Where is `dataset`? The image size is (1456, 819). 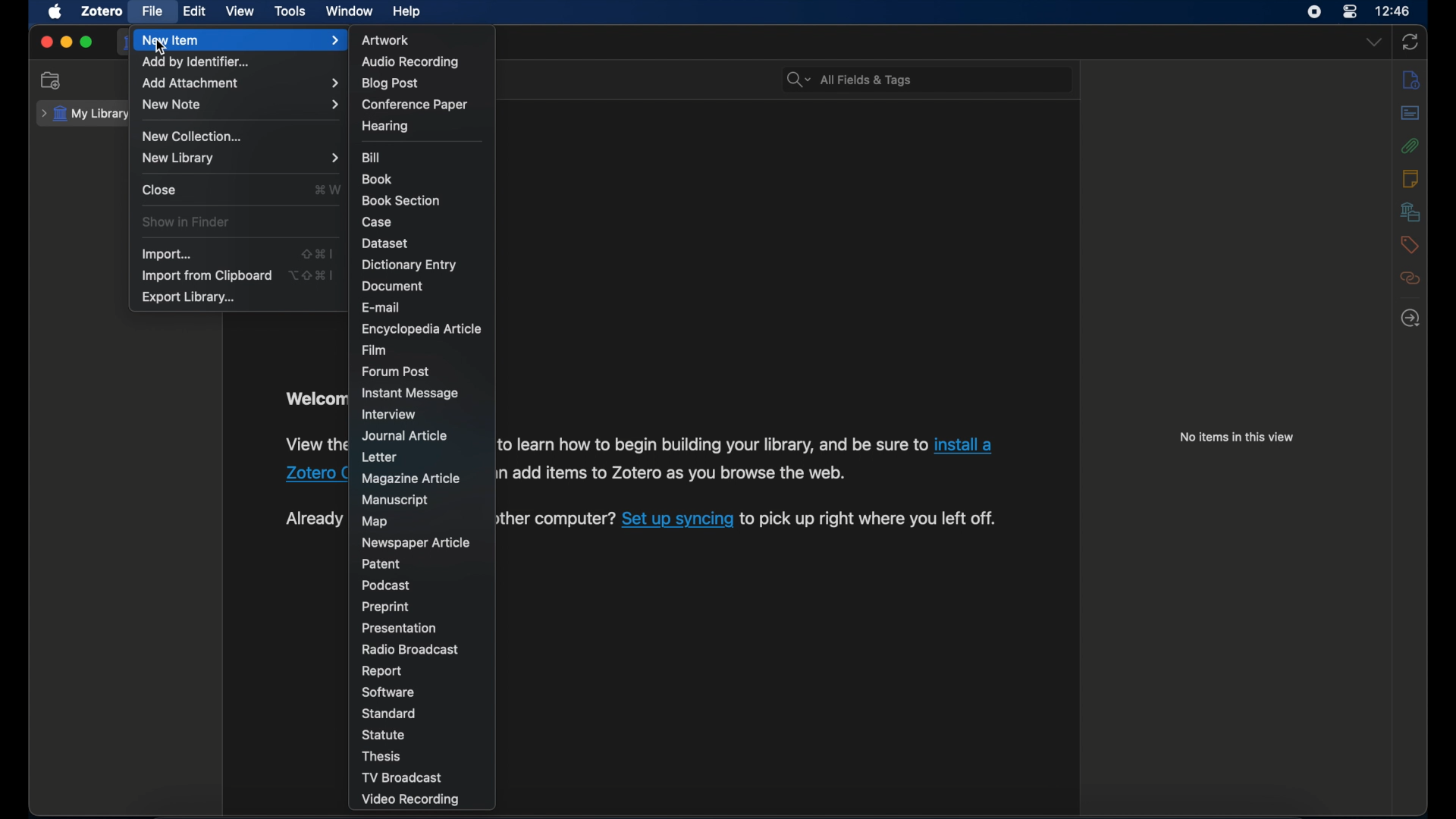 dataset is located at coordinates (386, 243).